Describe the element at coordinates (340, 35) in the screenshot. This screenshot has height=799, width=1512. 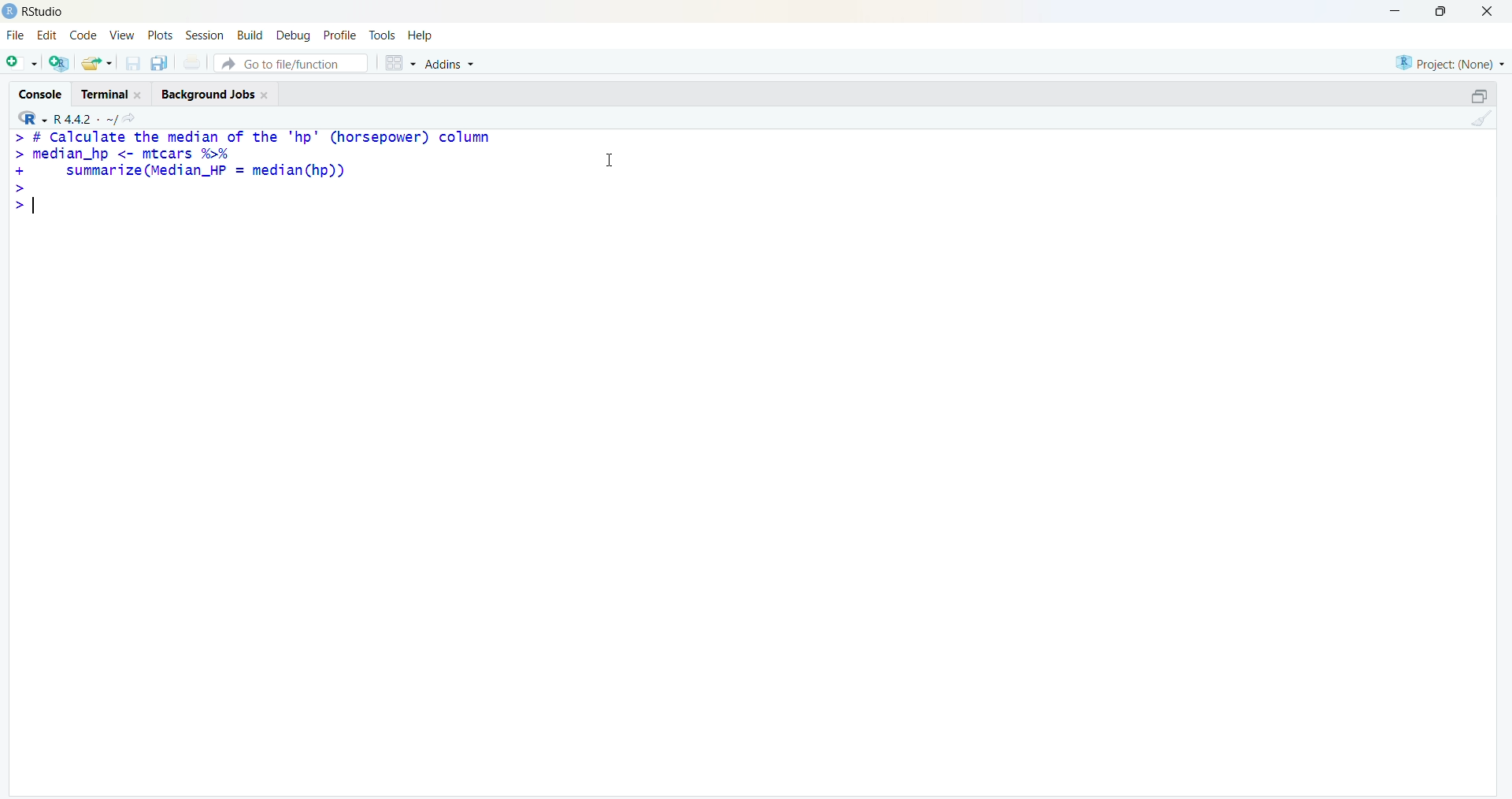
I see `profile` at that location.